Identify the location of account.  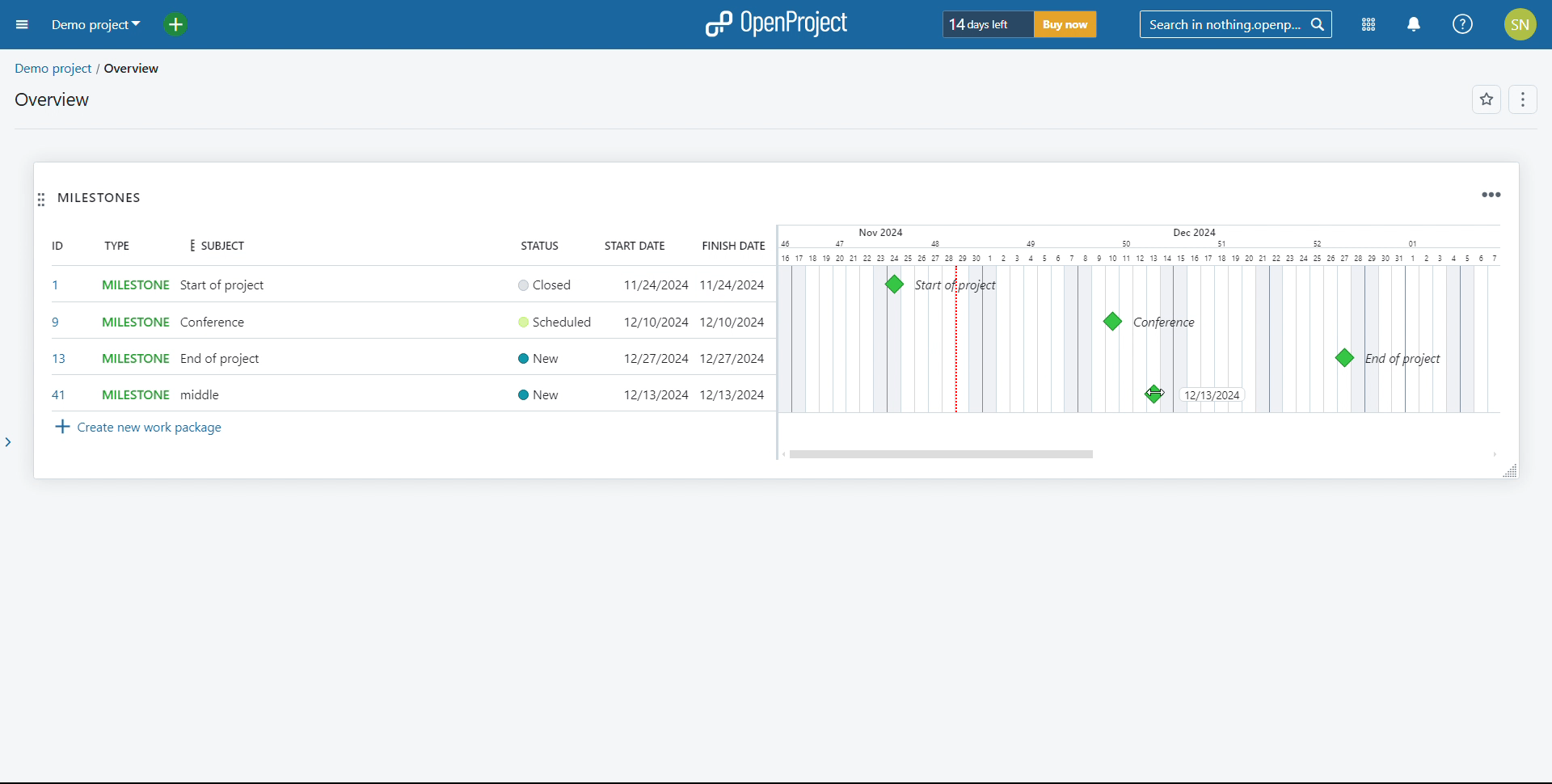
(1522, 24).